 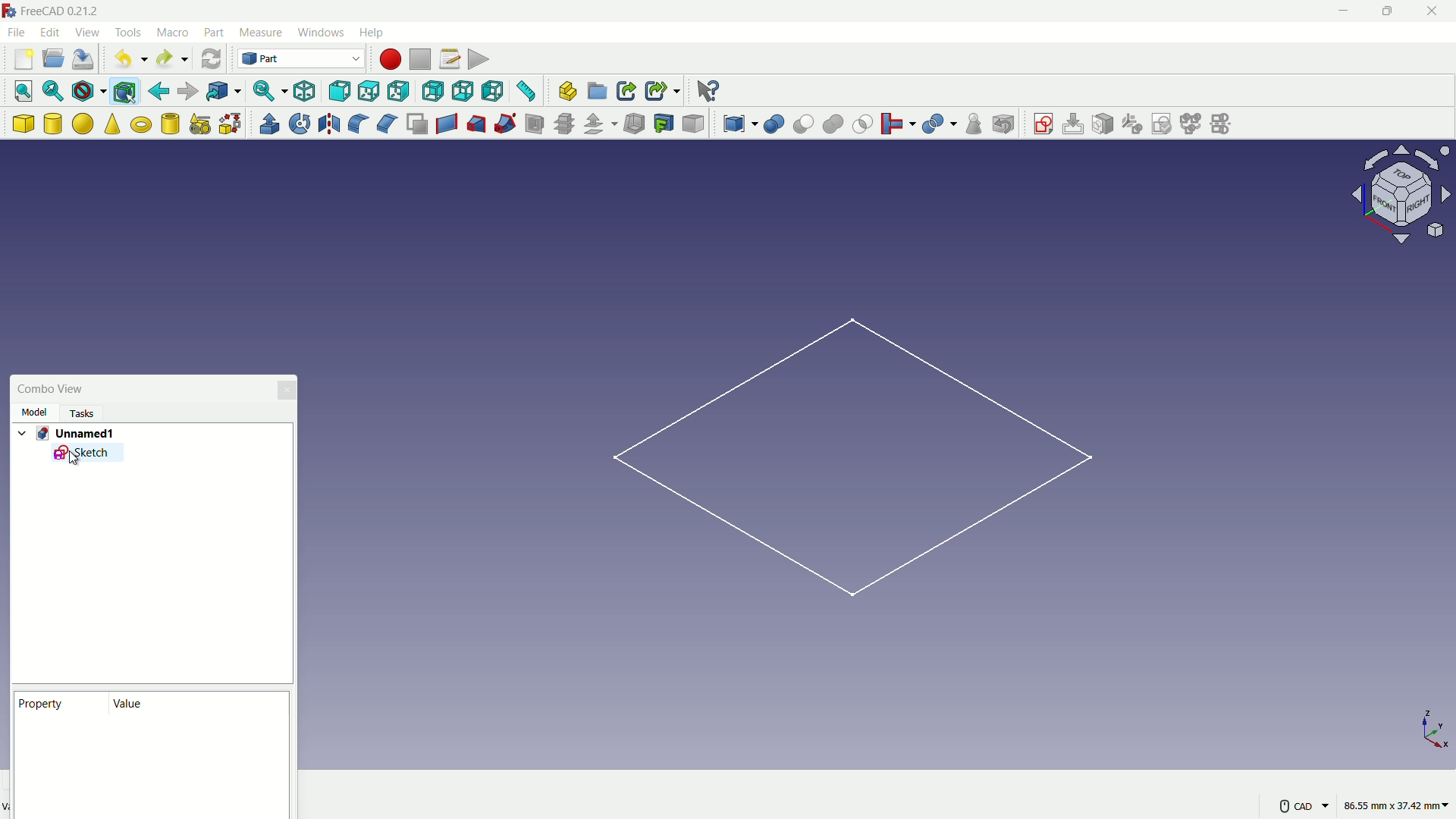 What do you see at coordinates (201, 124) in the screenshot?
I see `create primitive` at bounding box center [201, 124].